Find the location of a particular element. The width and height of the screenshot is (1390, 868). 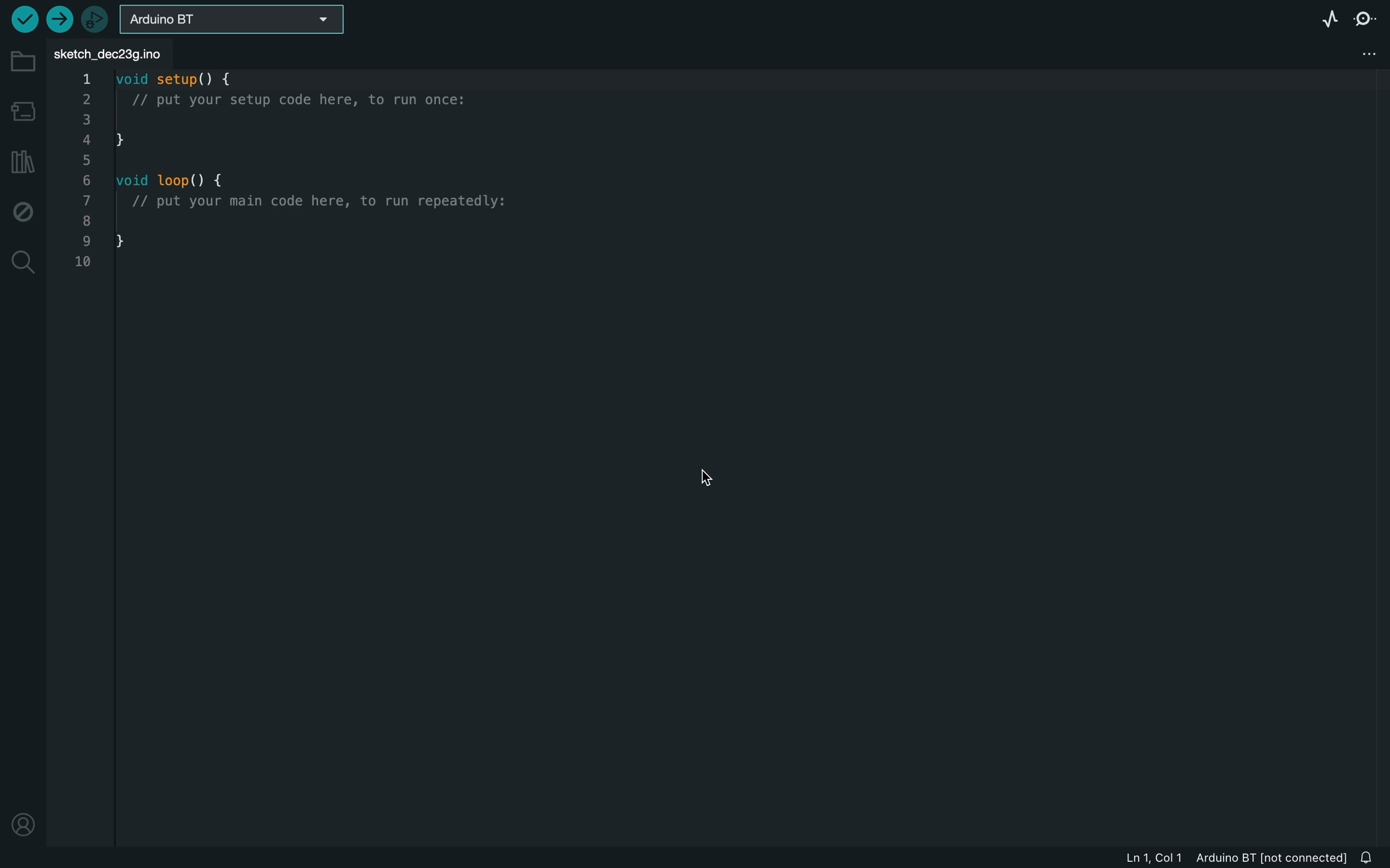

debugger is located at coordinates (96, 20).